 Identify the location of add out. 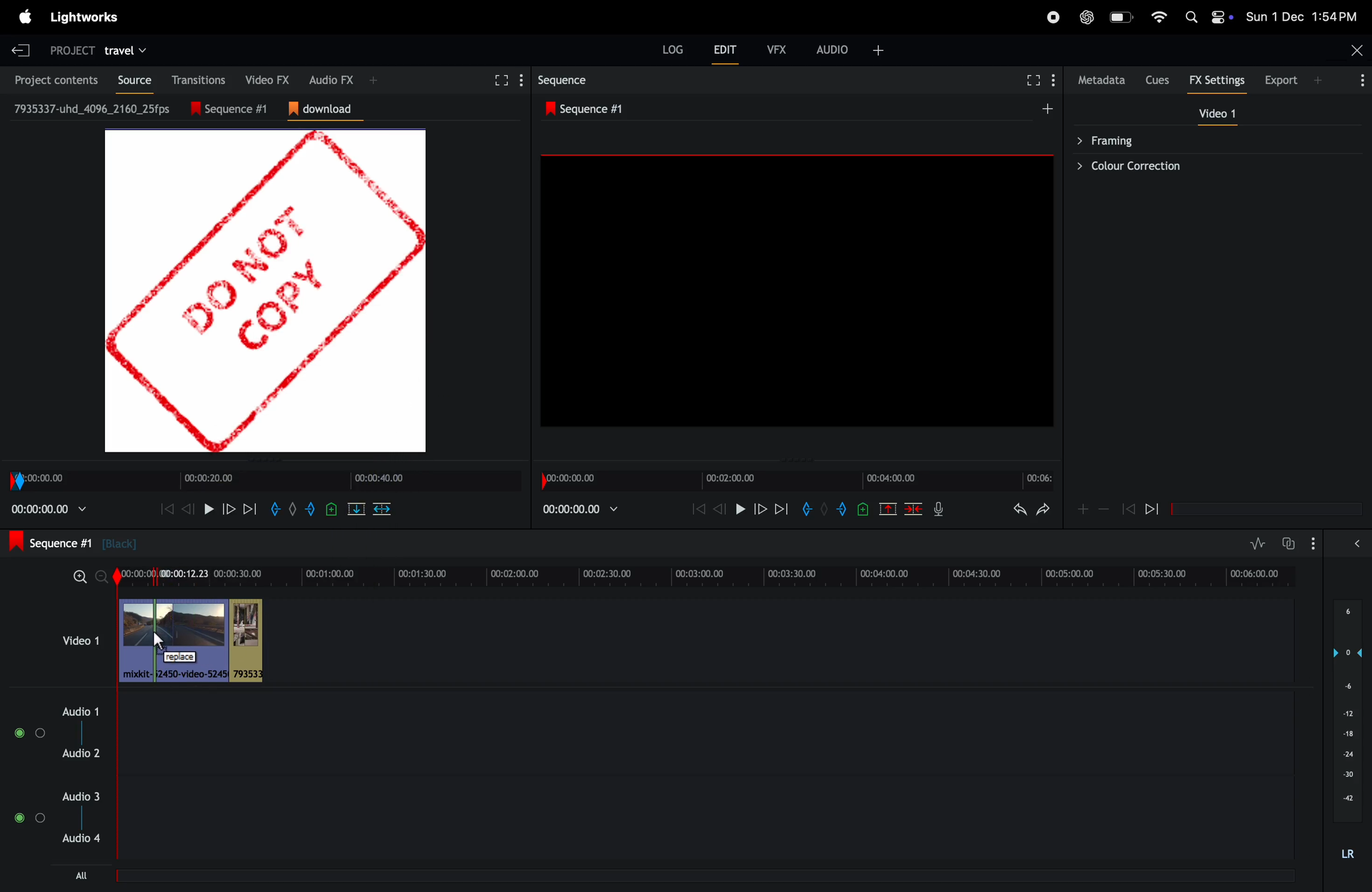
(843, 509).